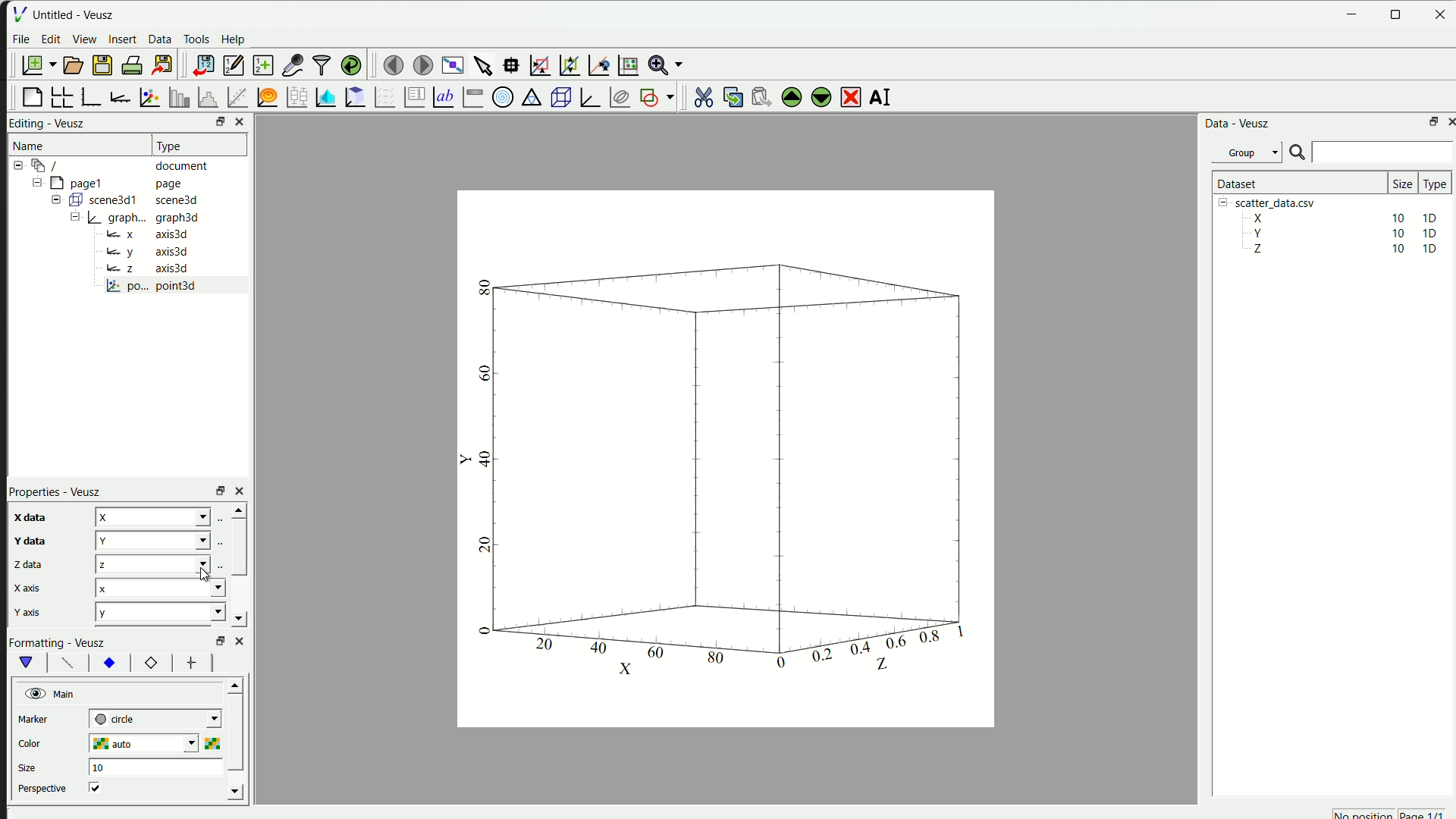 The image size is (1456, 819). What do you see at coordinates (99, 787) in the screenshot?
I see `checkbox` at bounding box center [99, 787].